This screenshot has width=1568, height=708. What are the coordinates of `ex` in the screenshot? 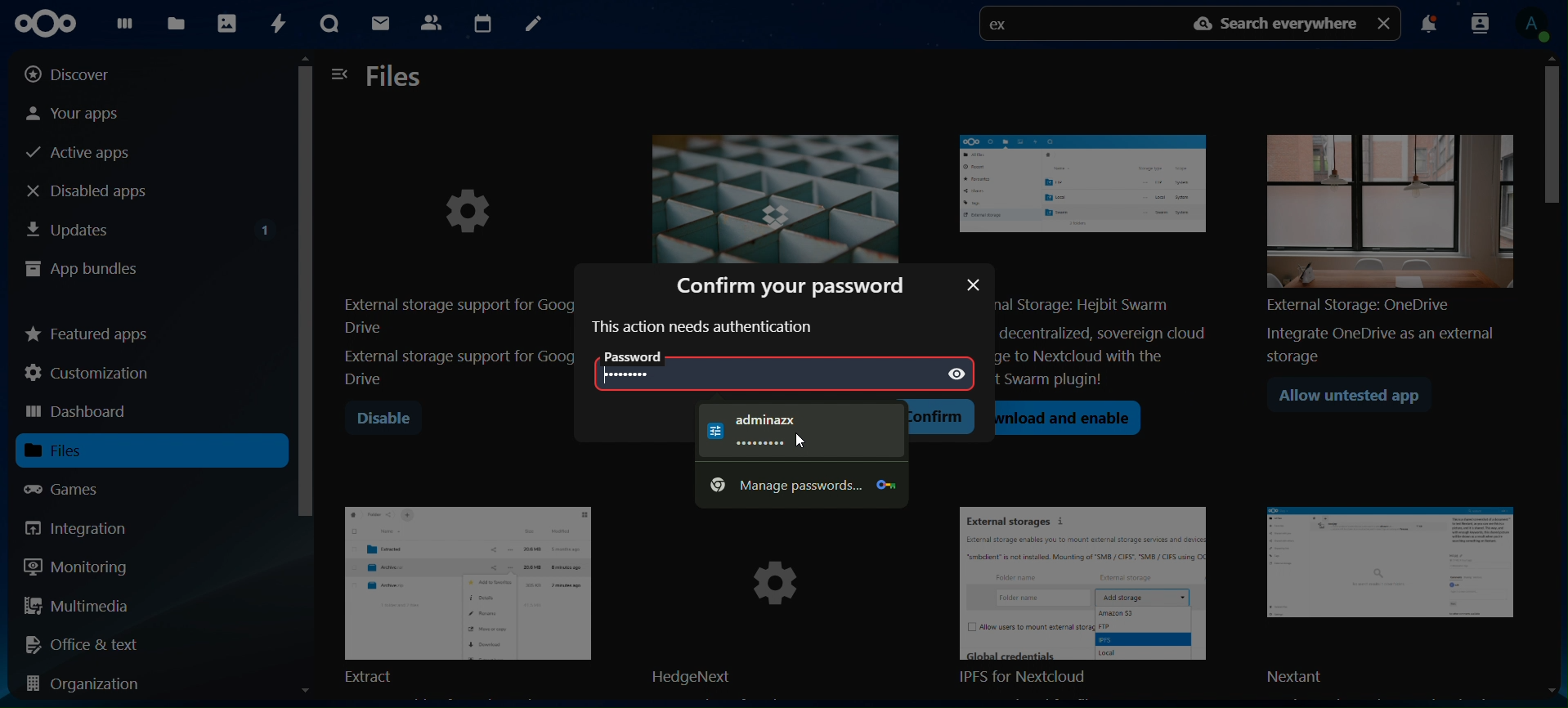 It's located at (1004, 26).